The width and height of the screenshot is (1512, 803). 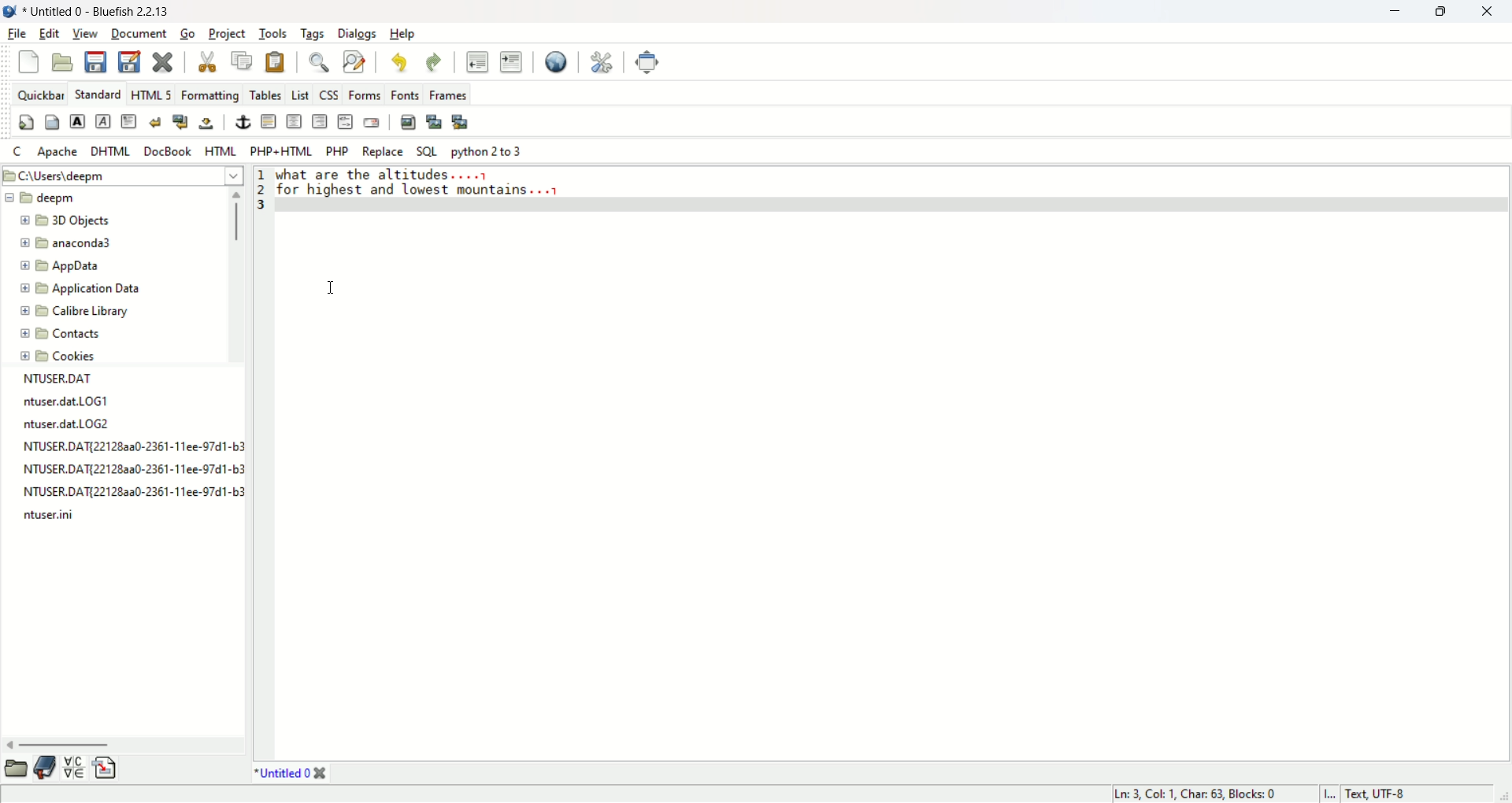 What do you see at coordinates (50, 124) in the screenshot?
I see `body` at bounding box center [50, 124].